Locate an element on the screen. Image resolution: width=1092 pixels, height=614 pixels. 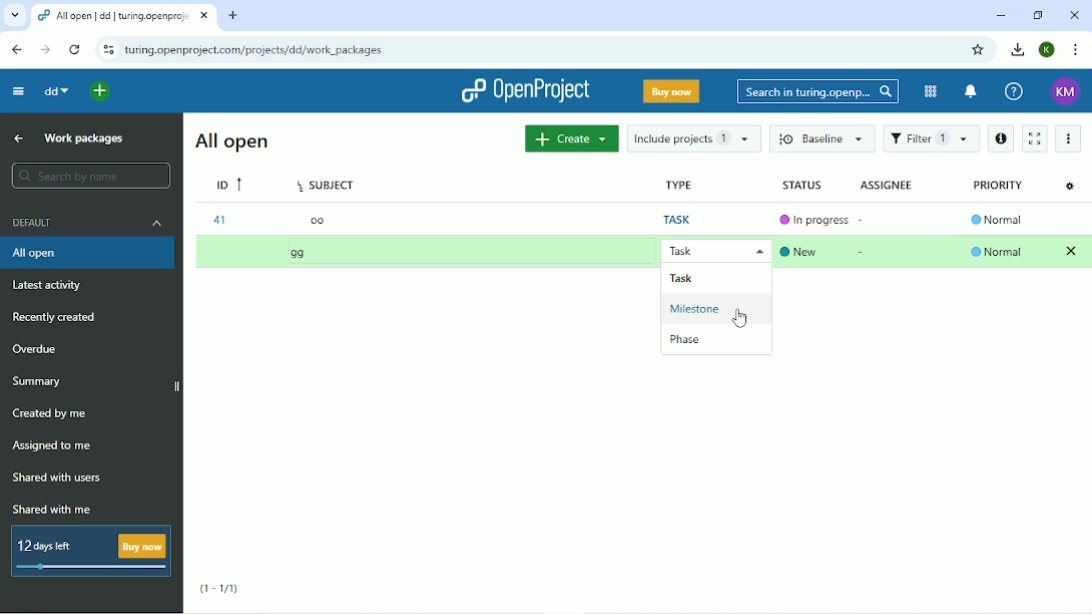
Phase is located at coordinates (687, 339).